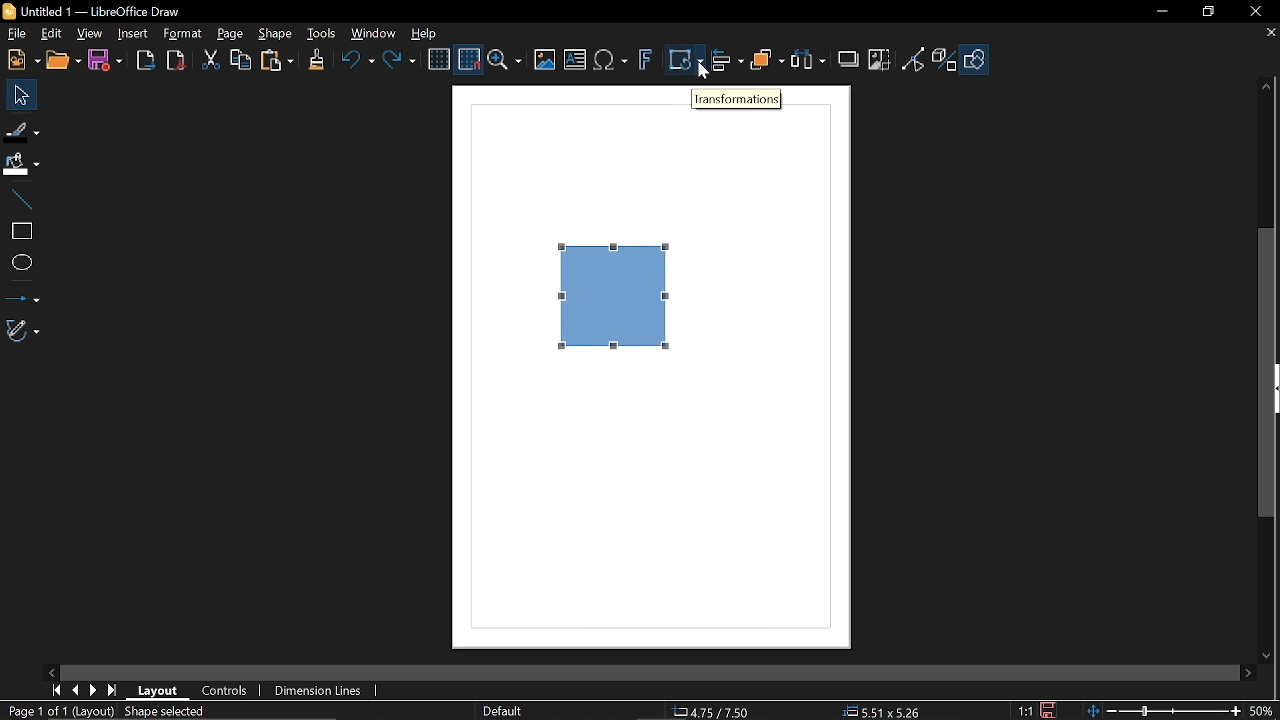  Describe the element at coordinates (142, 60) in the screenshot. I see `Export` at that location.